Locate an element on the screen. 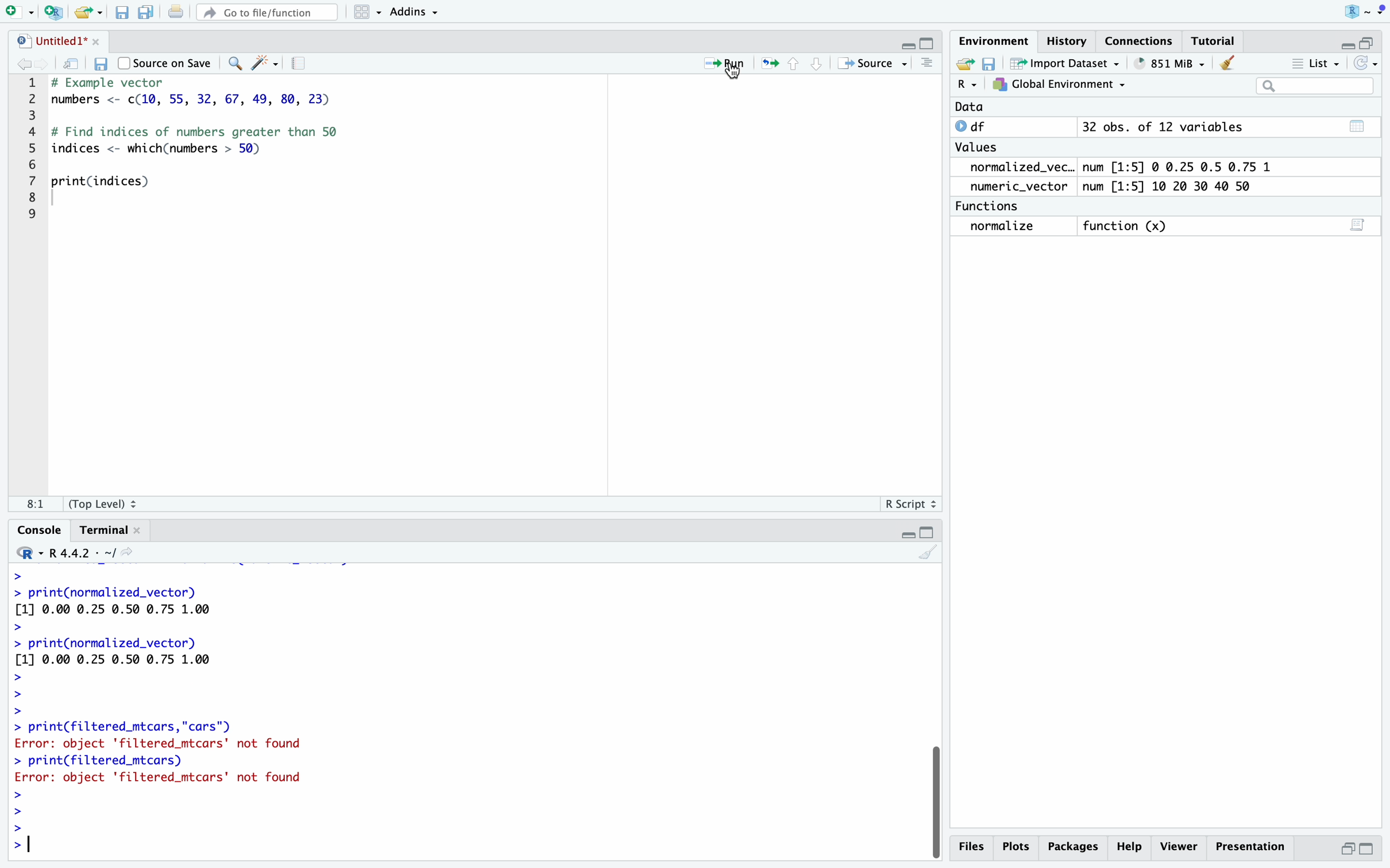 This screenshot has width=1390, height=868. 0 df is located at coordinates (976, 126).